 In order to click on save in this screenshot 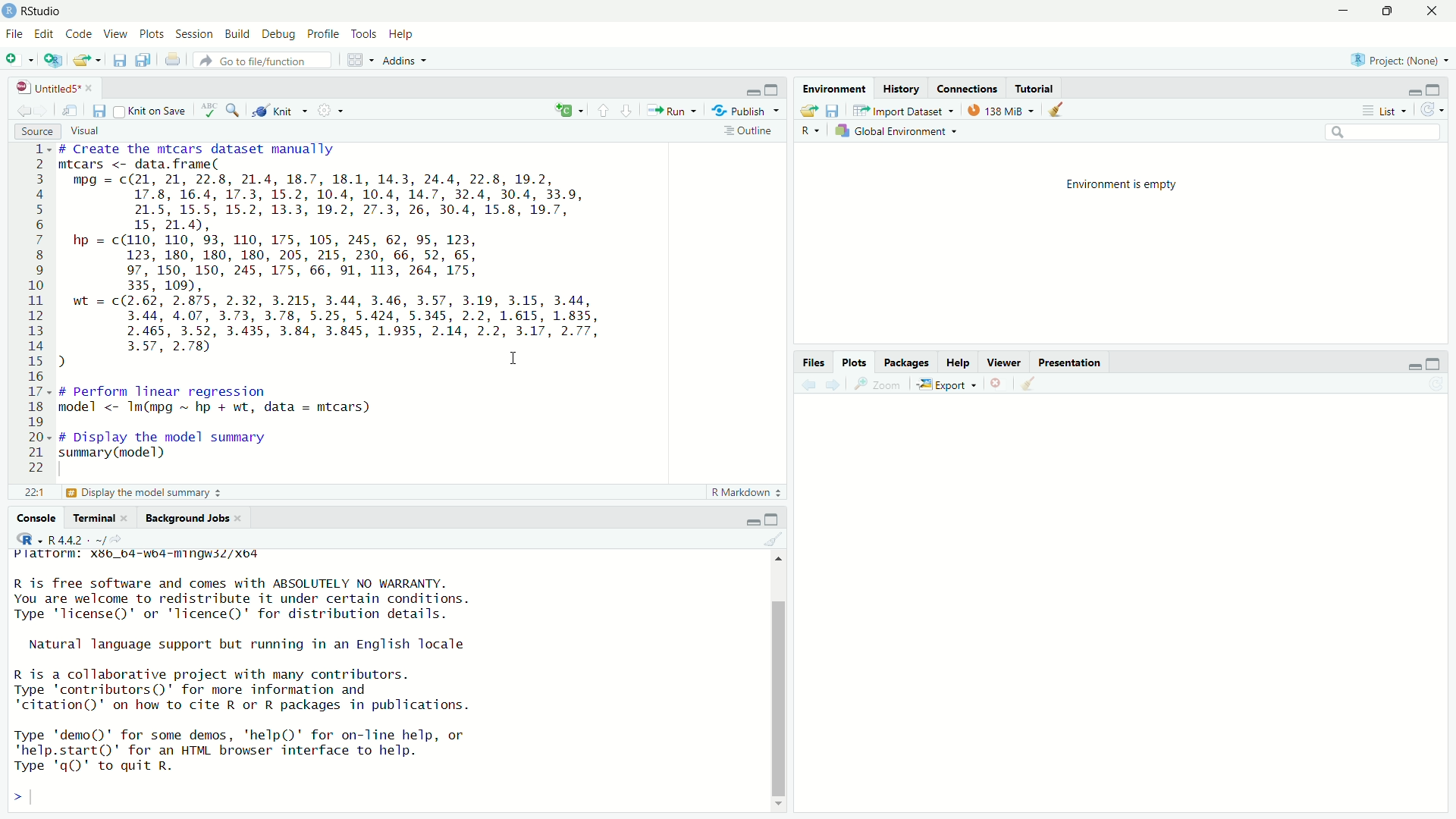, I will do `click(99, 111)`.